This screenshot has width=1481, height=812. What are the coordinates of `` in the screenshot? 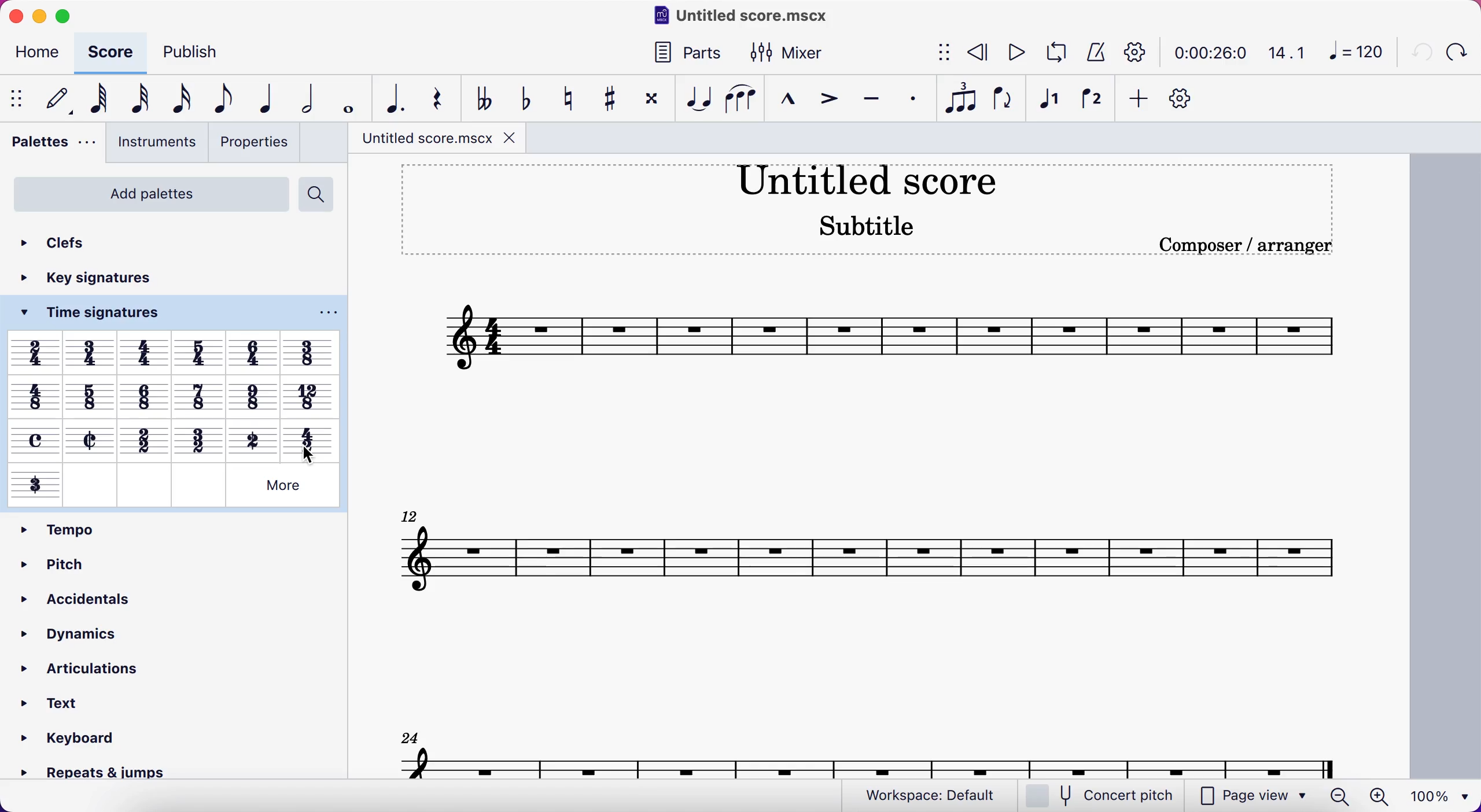 It's located at (253, 438).